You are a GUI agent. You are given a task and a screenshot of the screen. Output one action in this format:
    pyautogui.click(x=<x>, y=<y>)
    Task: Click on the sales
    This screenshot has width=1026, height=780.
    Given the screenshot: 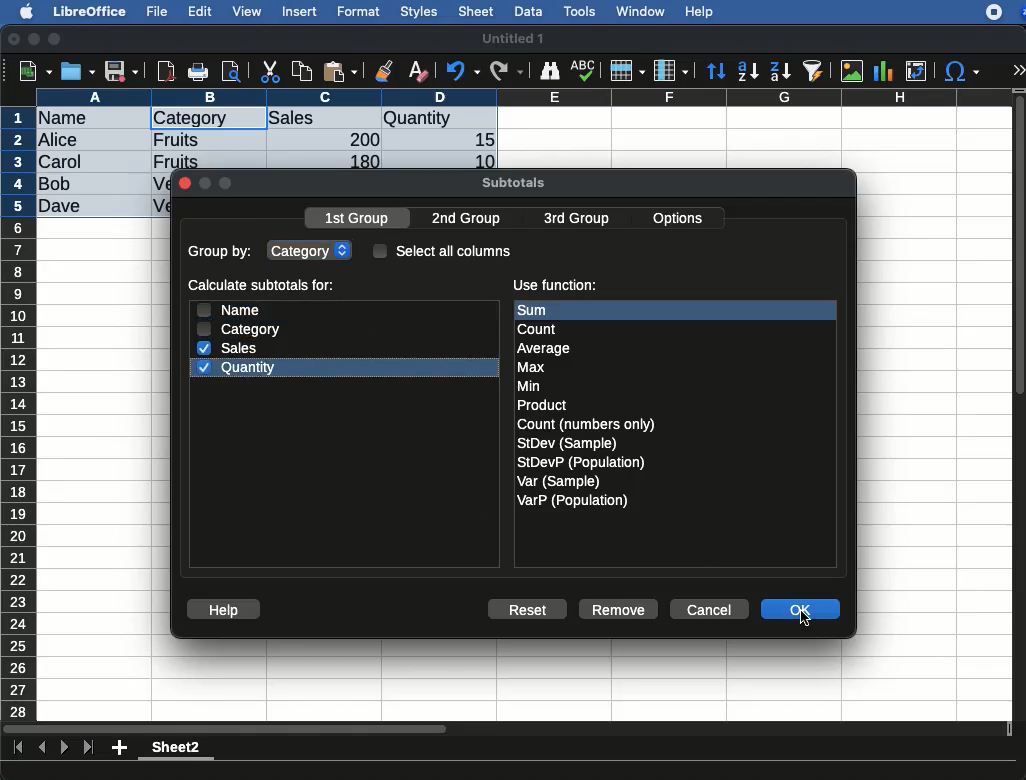 What is the action you would take?
    pyautogui.click(x=231, y=348)
    